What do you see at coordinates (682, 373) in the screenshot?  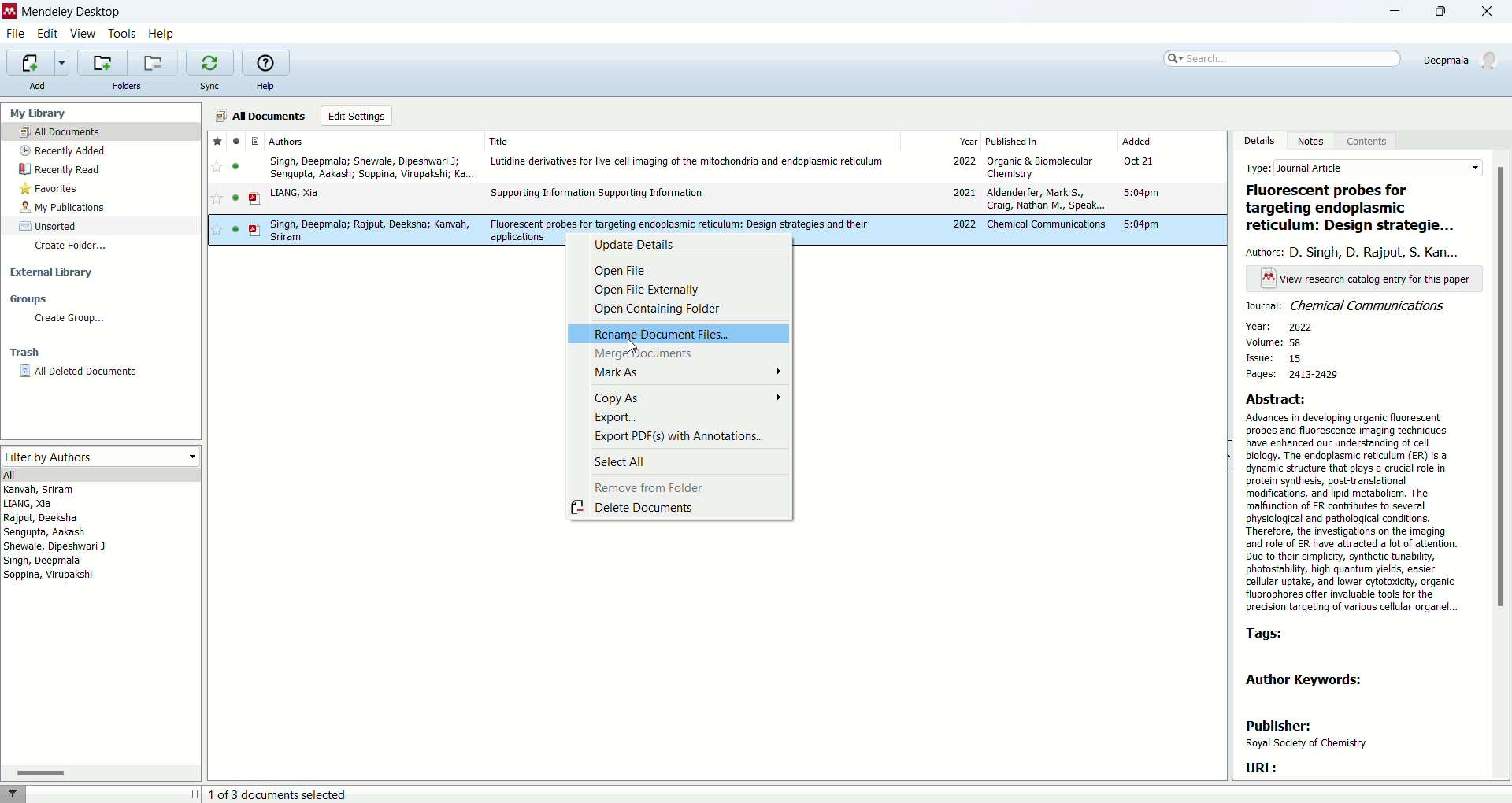 I see `mark as` at bounding box center [682, 373].